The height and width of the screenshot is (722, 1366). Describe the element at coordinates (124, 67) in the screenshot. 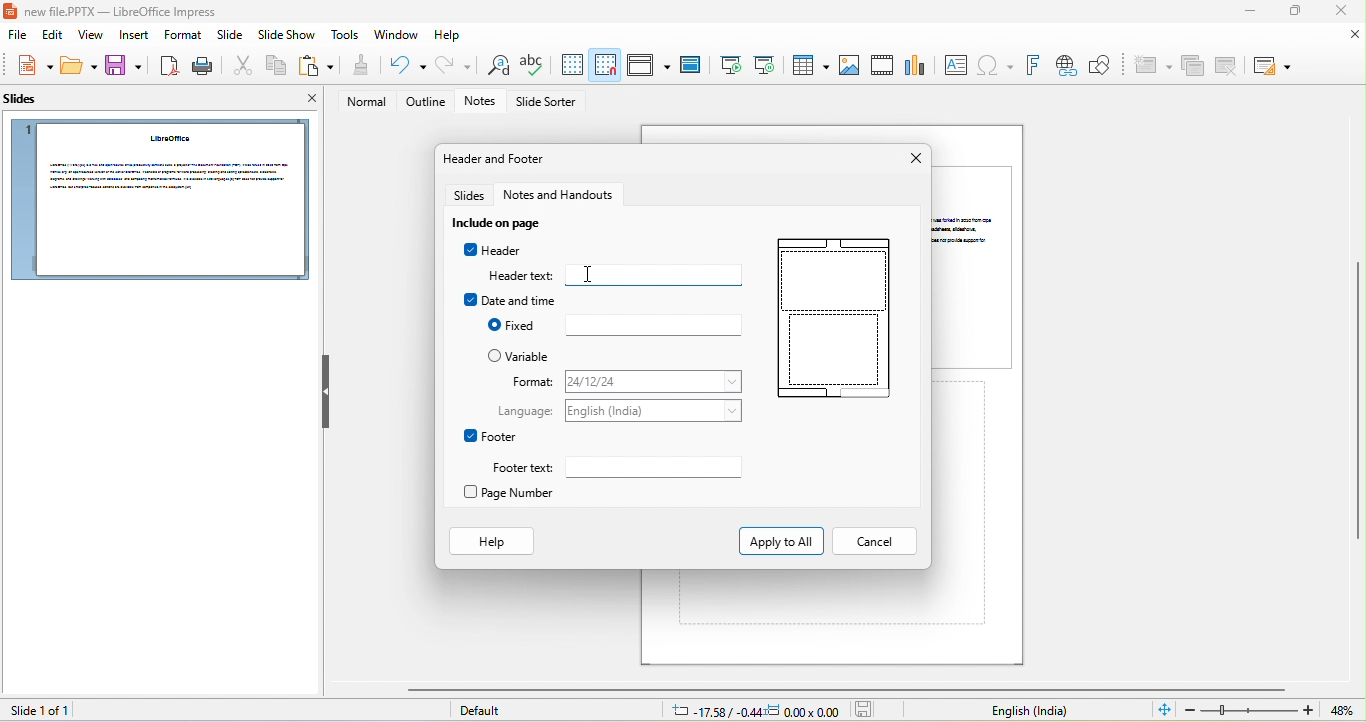

I see `save` at that location.